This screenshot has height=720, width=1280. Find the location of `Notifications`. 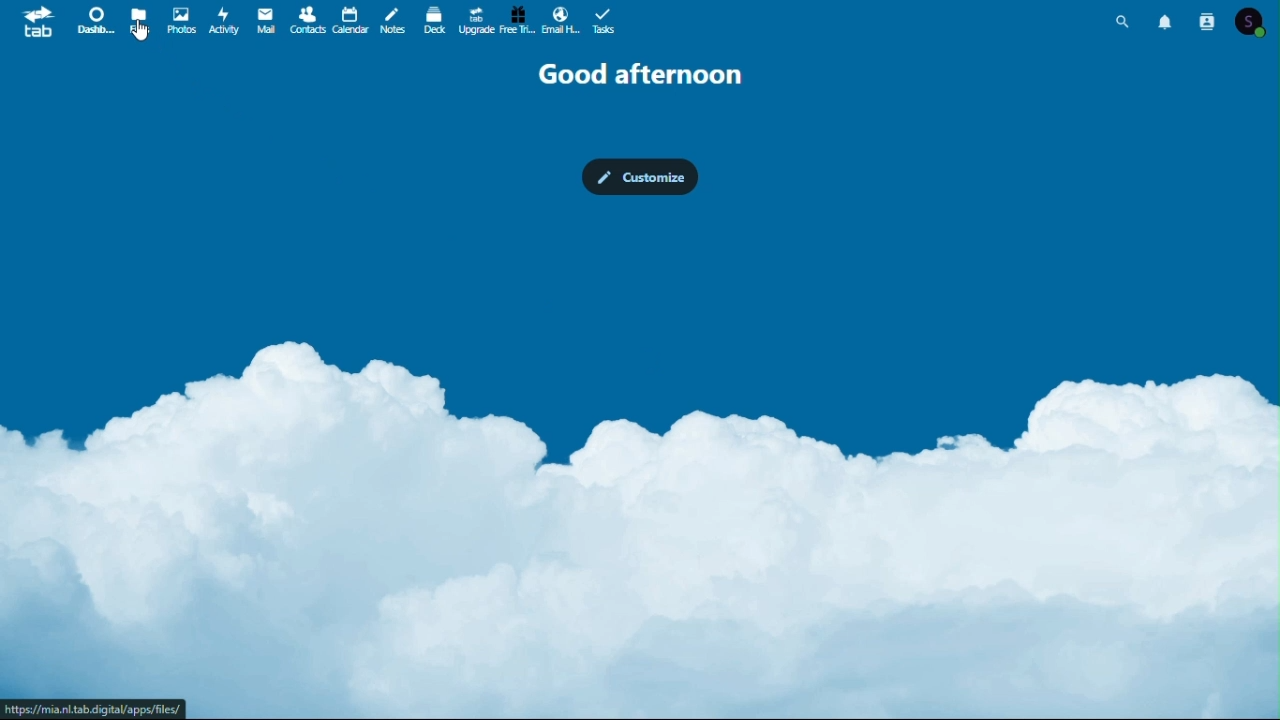

Notifications is located at coordinates (1163, 21).